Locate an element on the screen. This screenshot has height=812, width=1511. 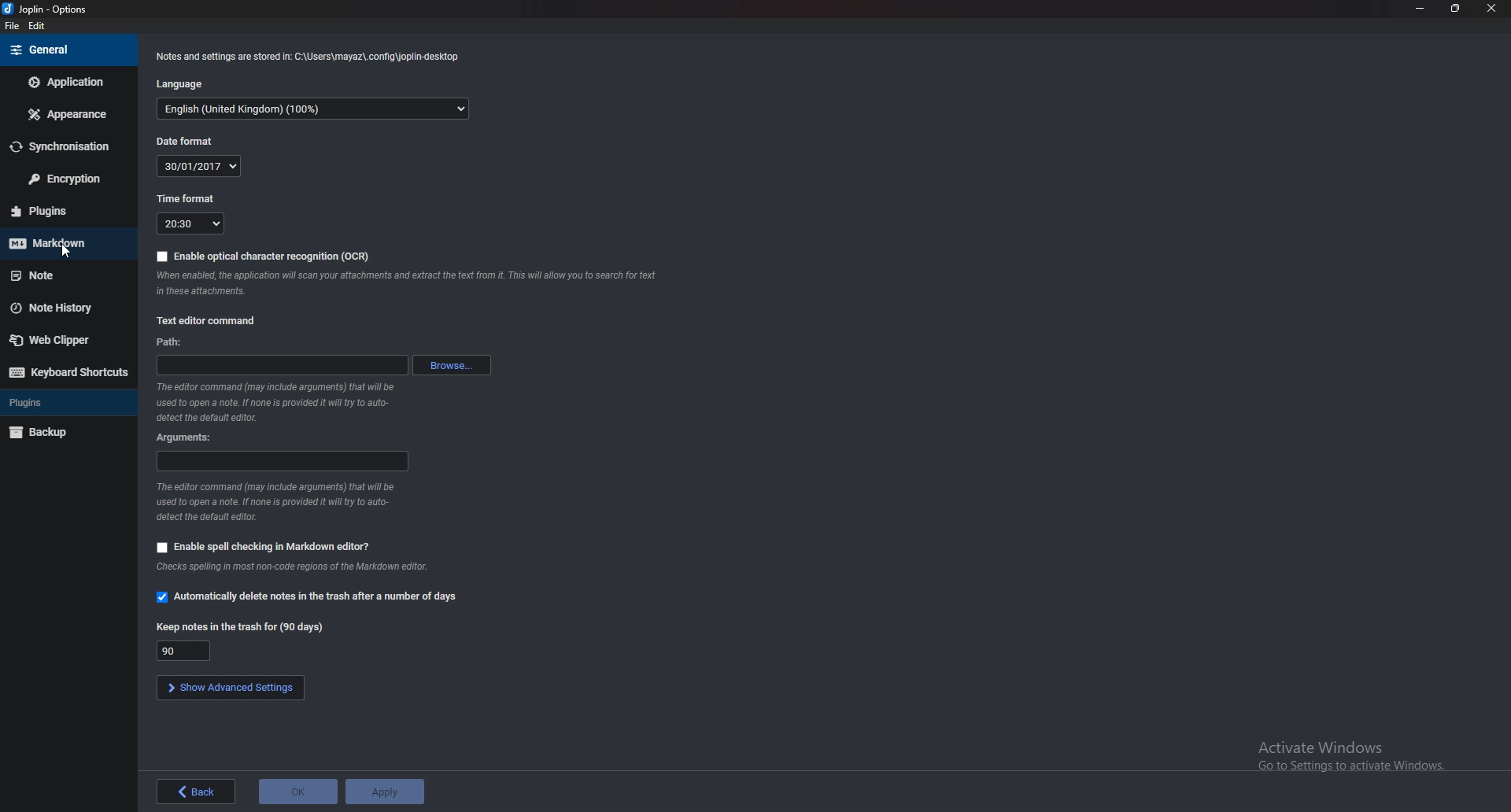
arguments is located at coordinates (187, 437).